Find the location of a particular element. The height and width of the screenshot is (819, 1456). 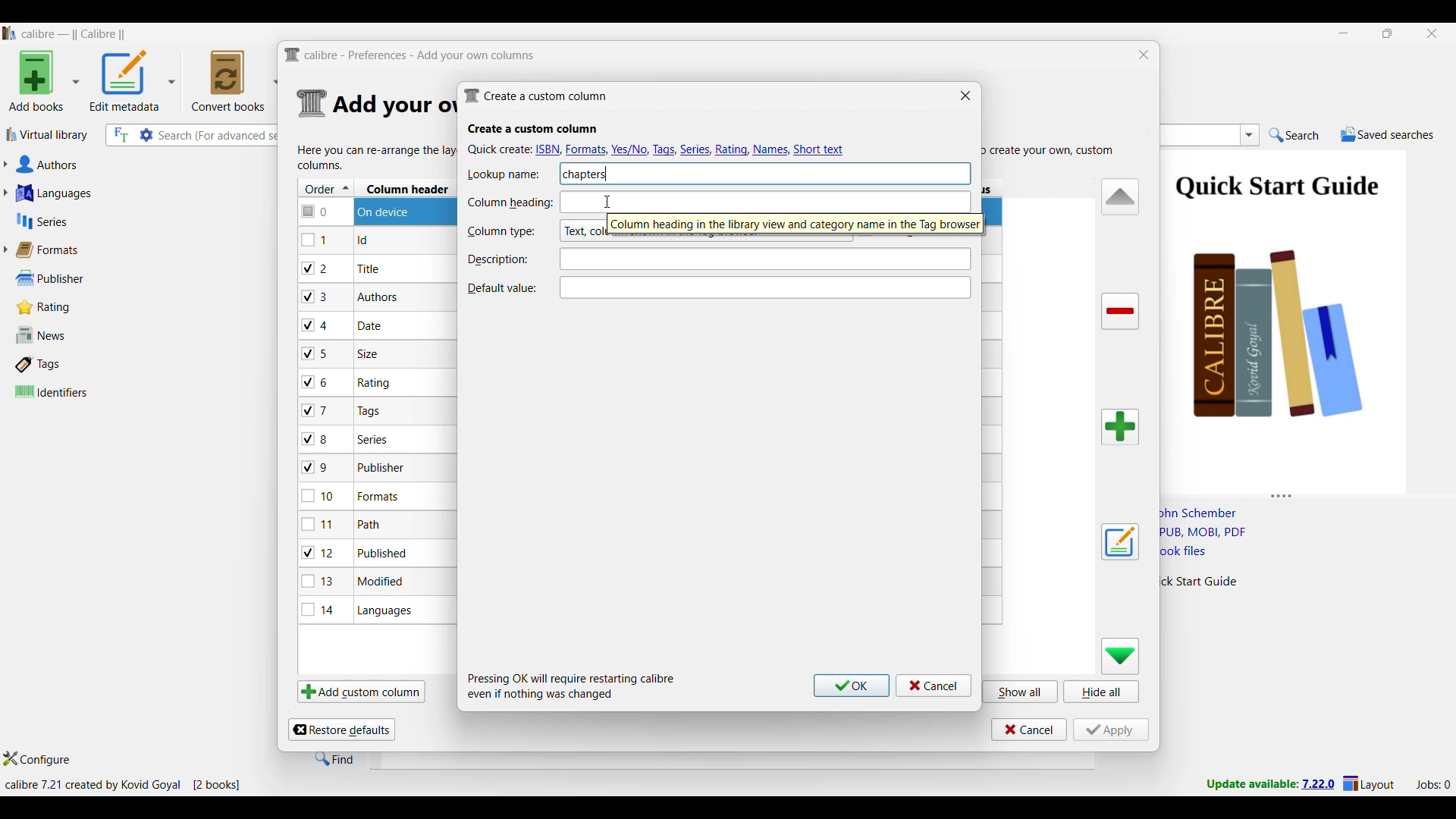

checkbox - 7 is located at coordinates (317, 410).